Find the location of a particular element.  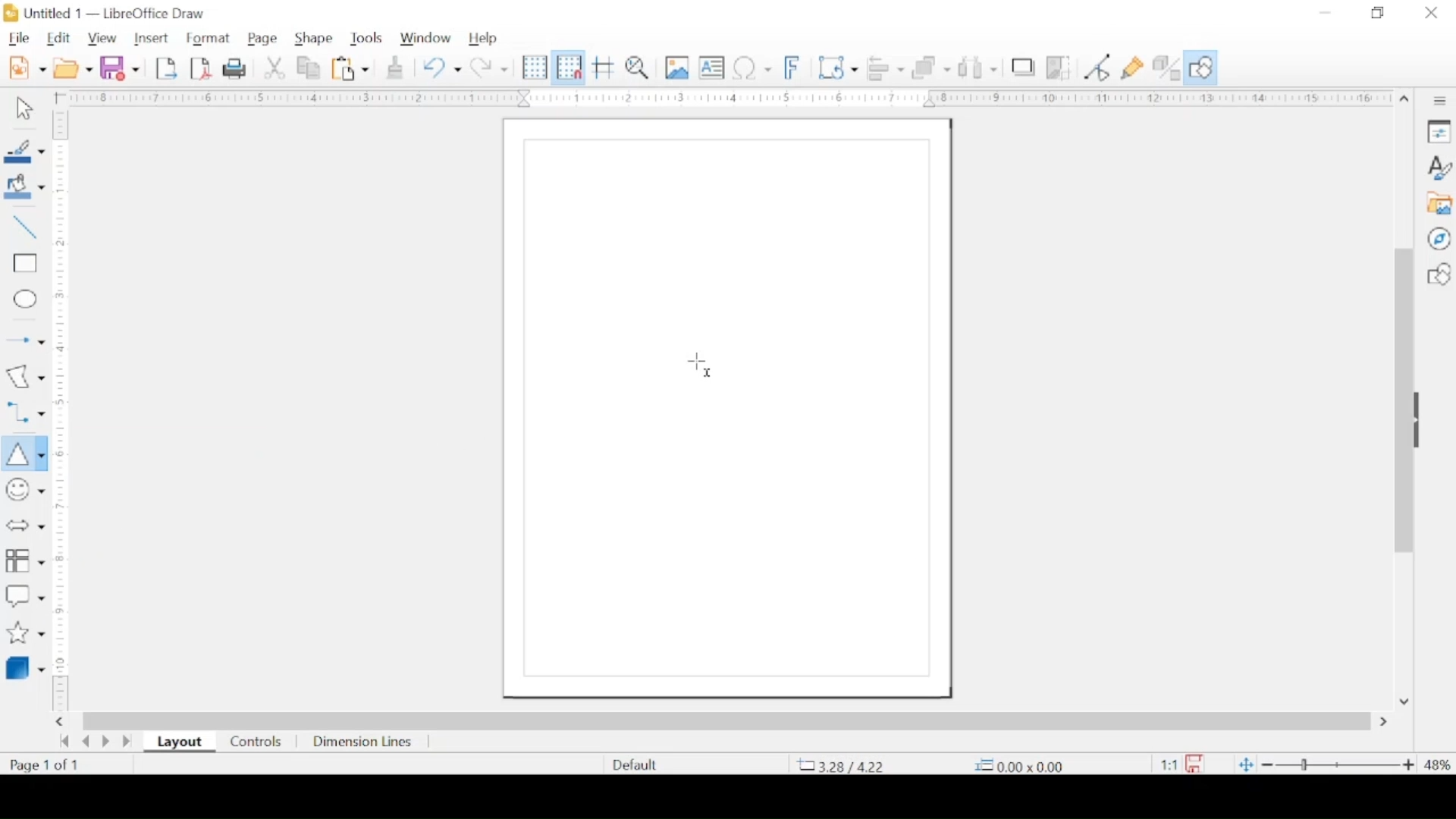

dimension lines is located at coordinates (365, 742).